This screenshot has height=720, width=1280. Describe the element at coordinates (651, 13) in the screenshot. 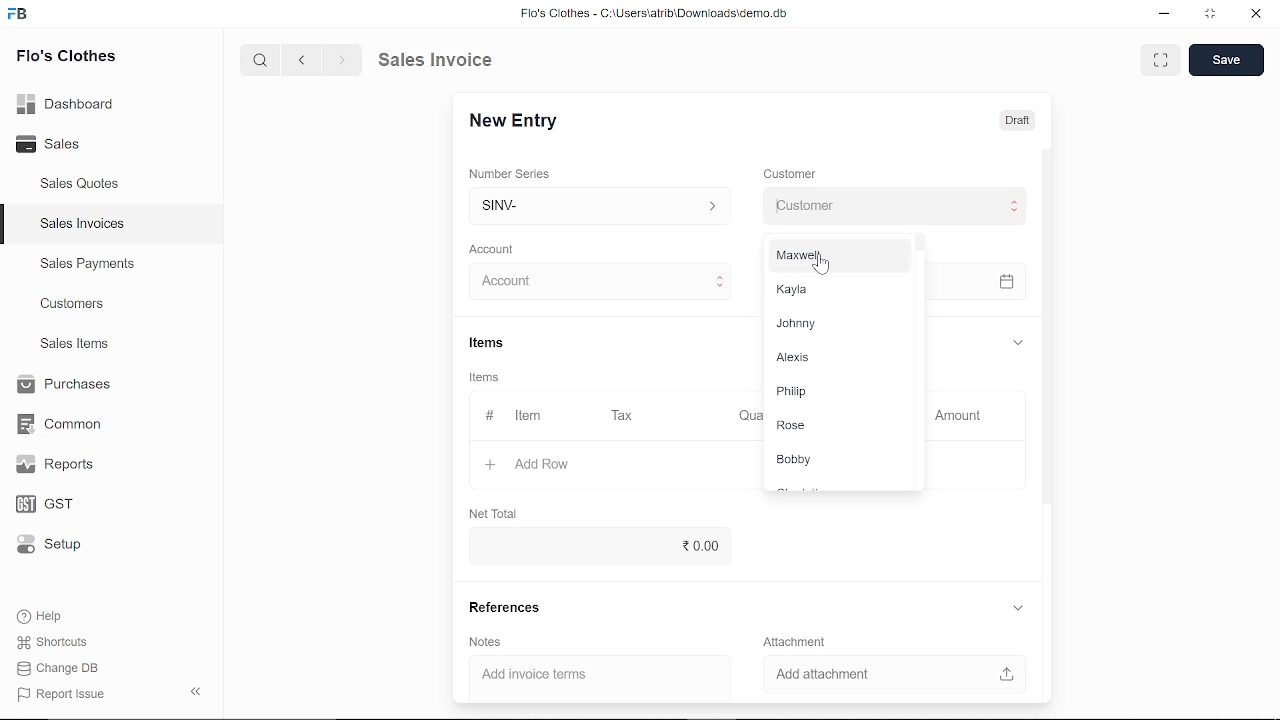

I see `Flo's Clothes - G:AUserslatribiDownloadsidemo.do` at that location.